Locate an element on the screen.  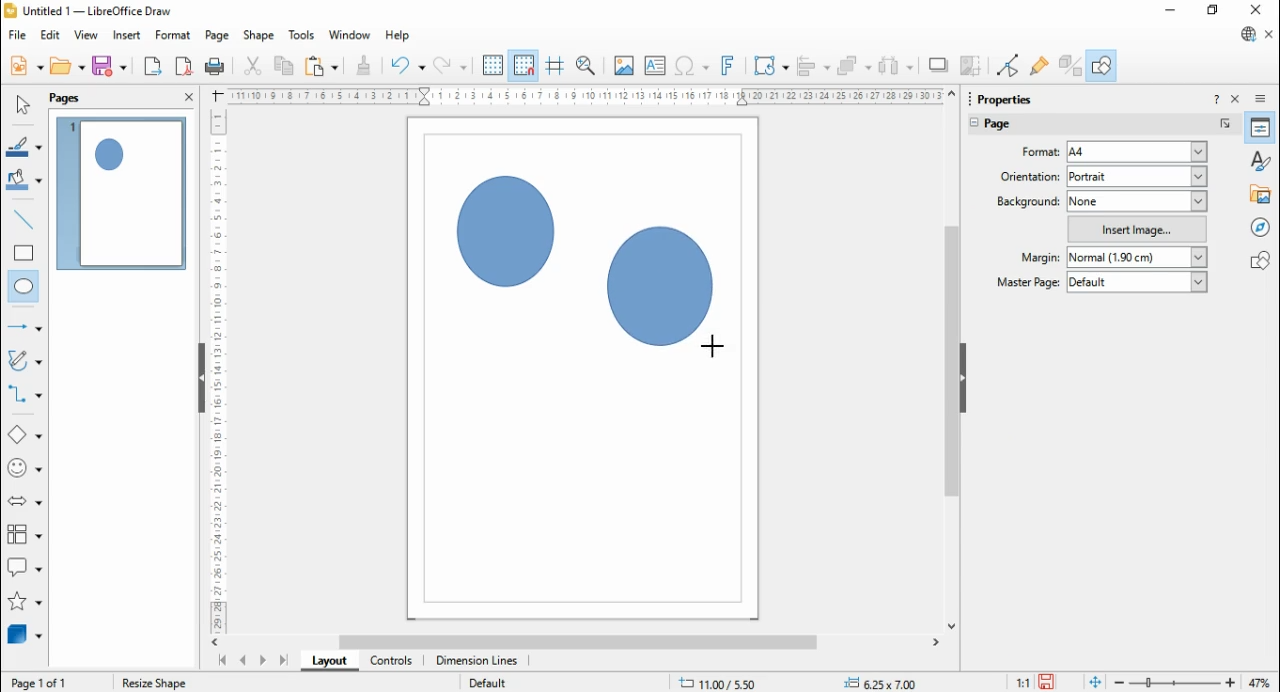
ellipse is located at coordinates (25, 288).